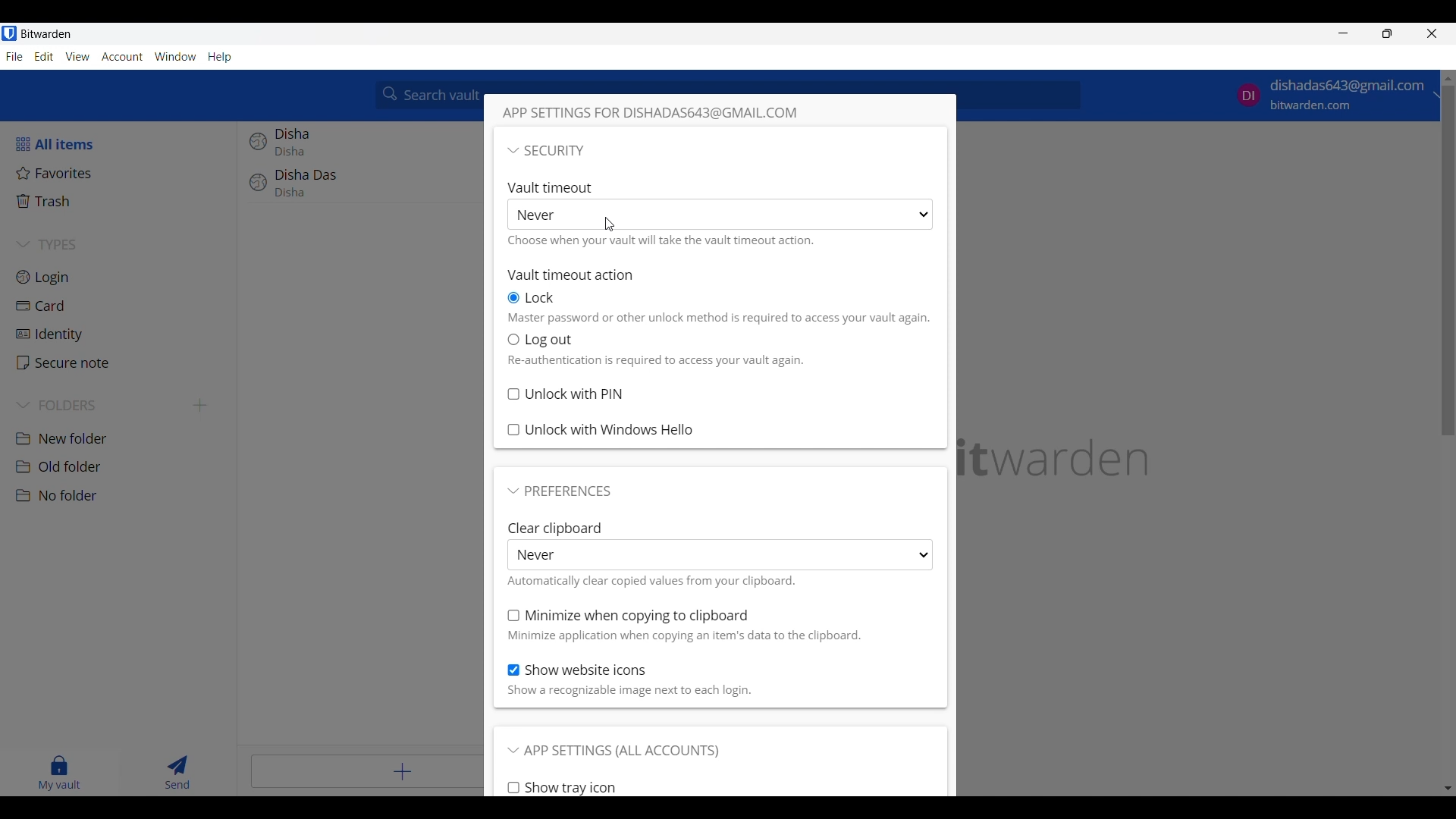 The height and width of the screenshot is (819, 1456). I want to click on Collapse section, so click(546, 150).